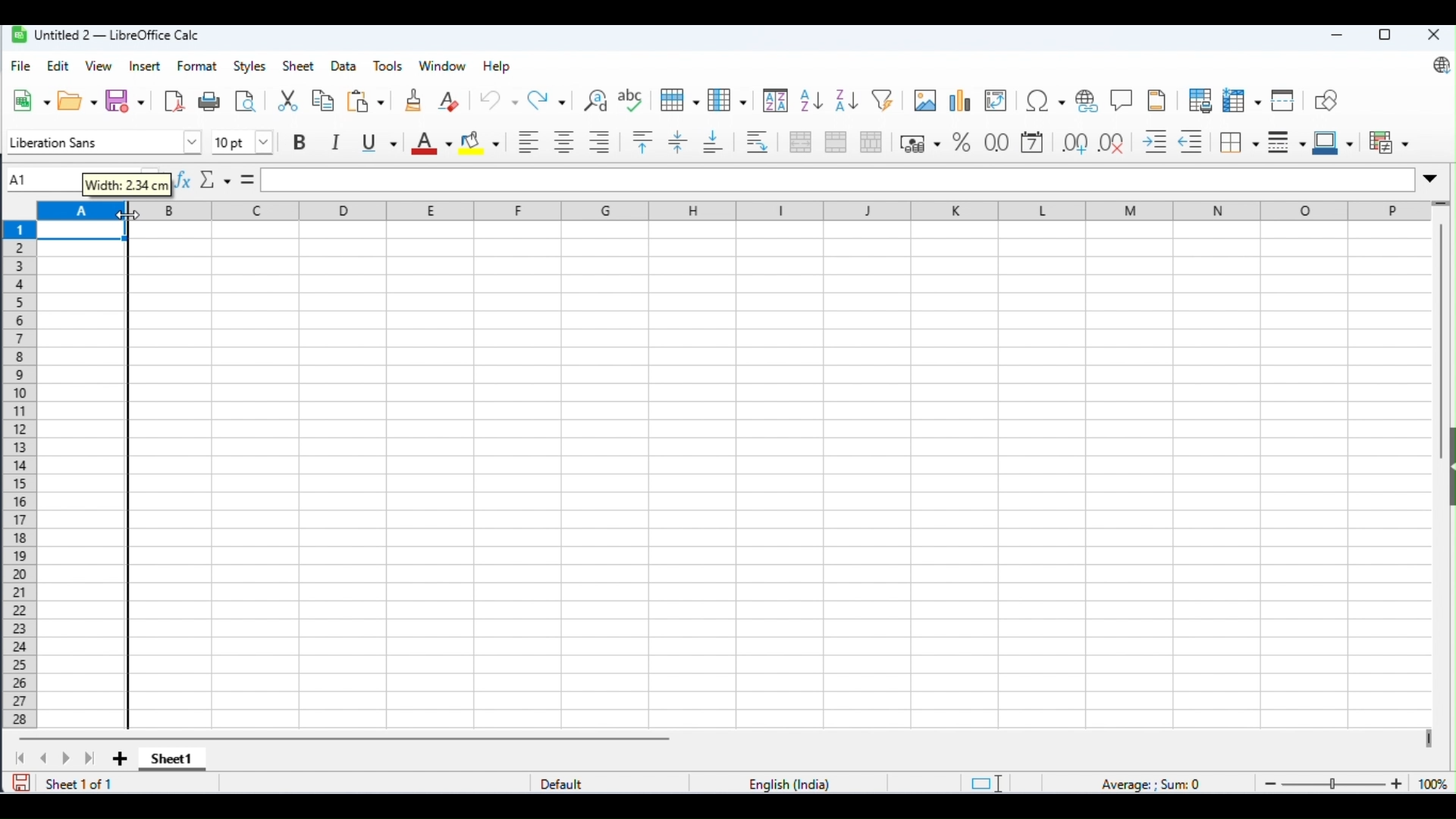  What do you see at coordinates (197, 65) in the screenshot?
I see `format` at bounding box center [197, 65].